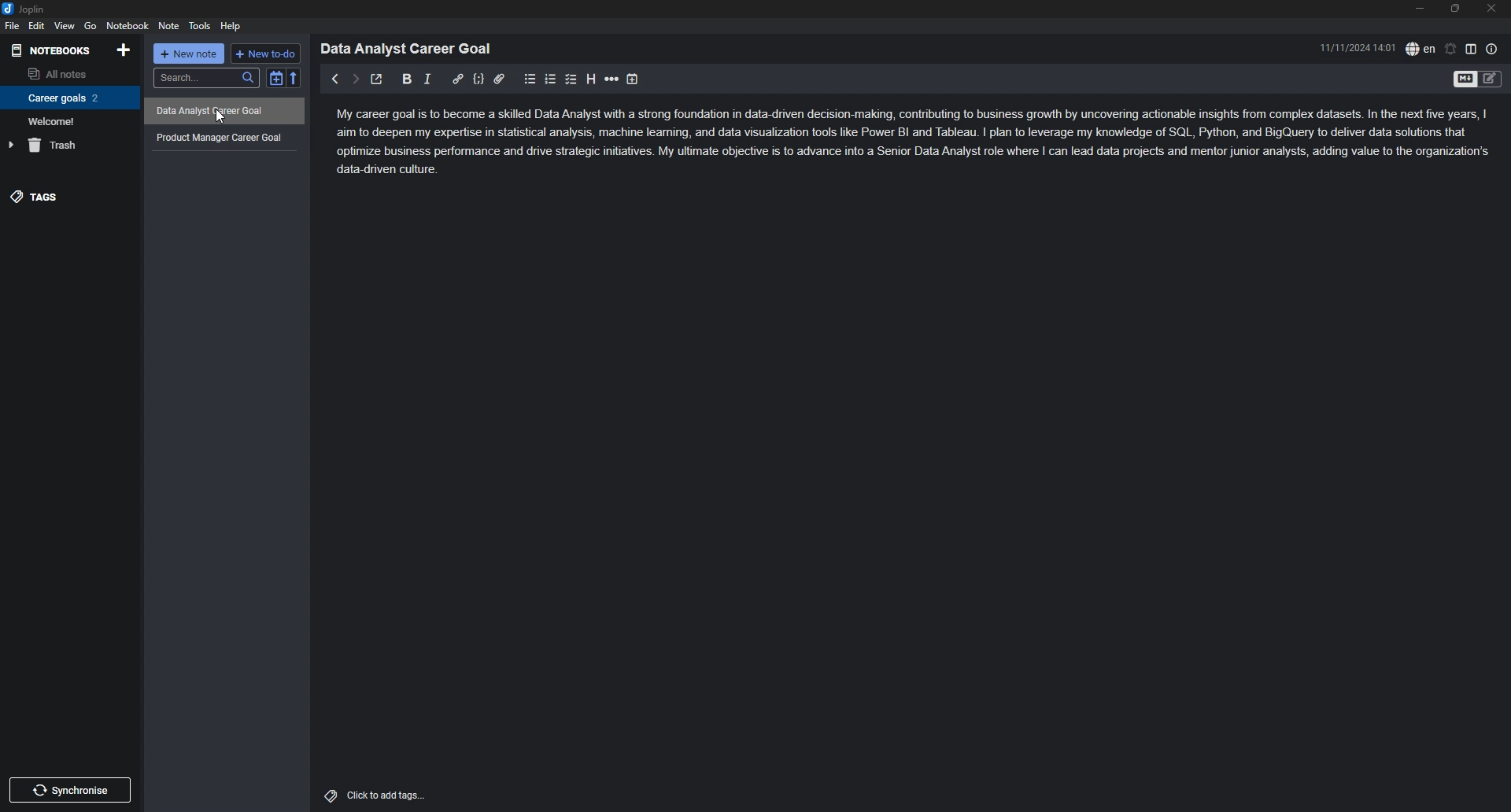 This screenshot has height=812, width=1511. I want to click on Toggle Editor, so click(1491, 80).